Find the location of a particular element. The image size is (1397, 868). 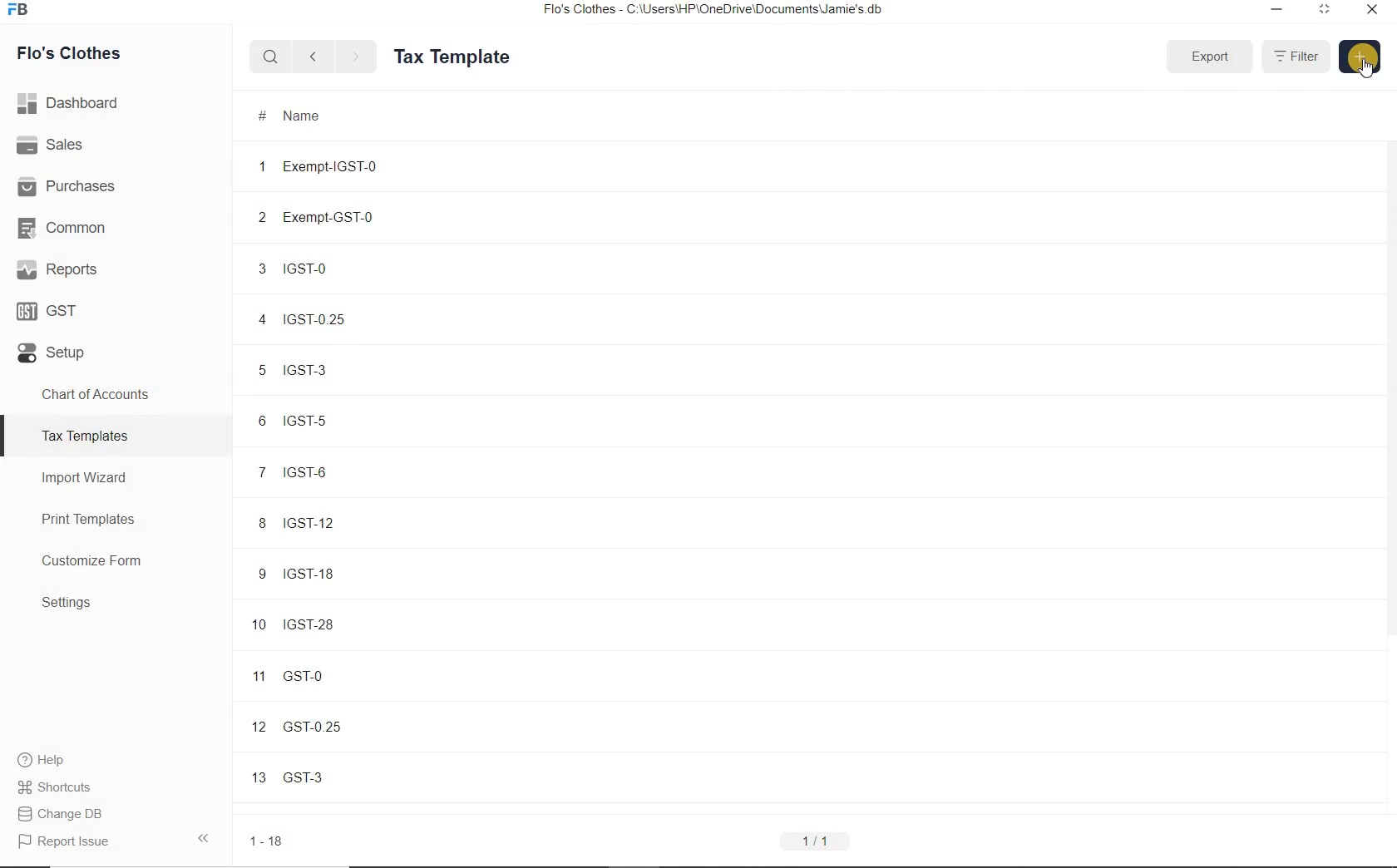

Setup is located at coordinates (116, 349).